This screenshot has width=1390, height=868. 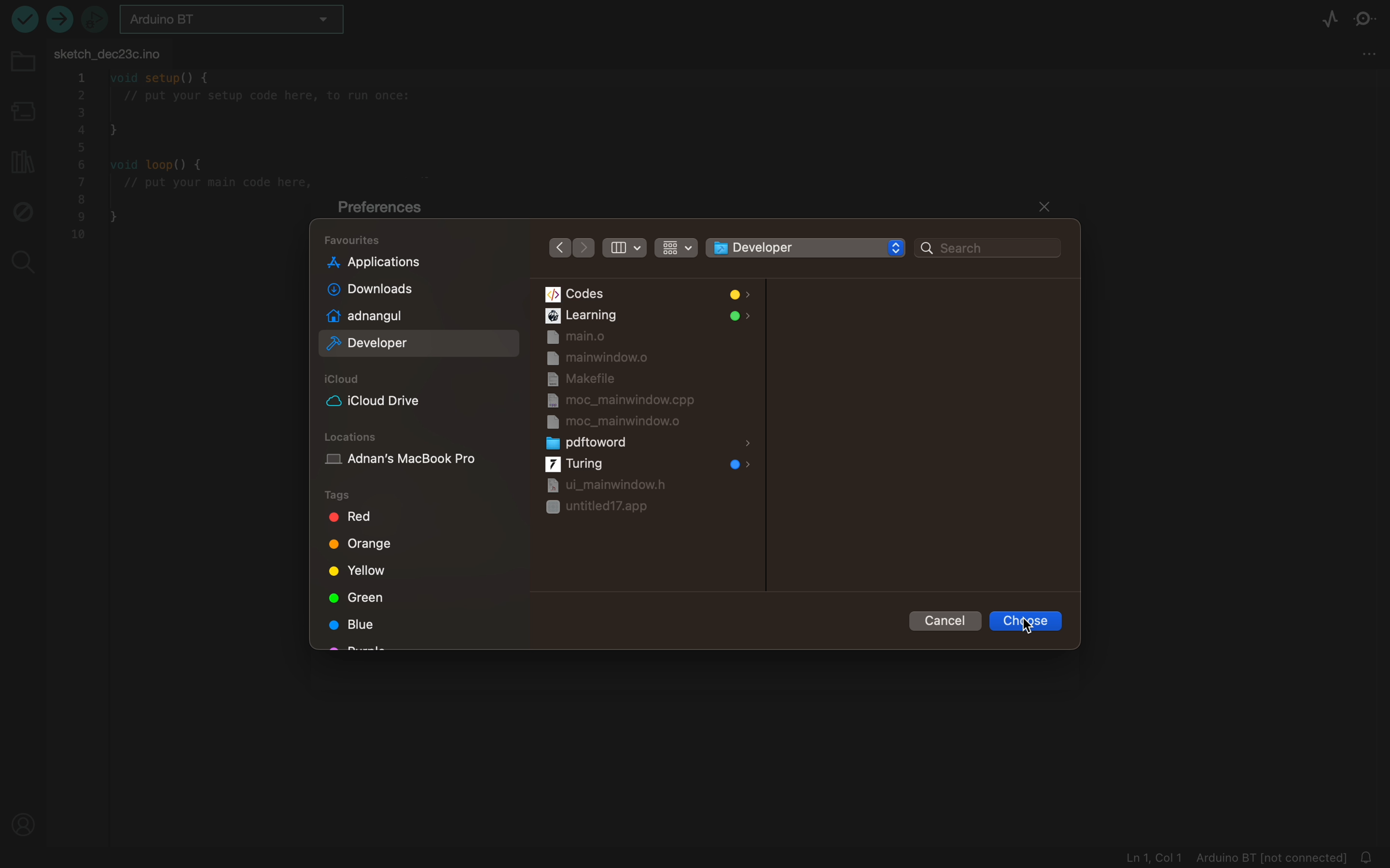 What do you see at coordinates (1044, 208) in the screenshot?
I see `close` at bounding box center [1044, 208].